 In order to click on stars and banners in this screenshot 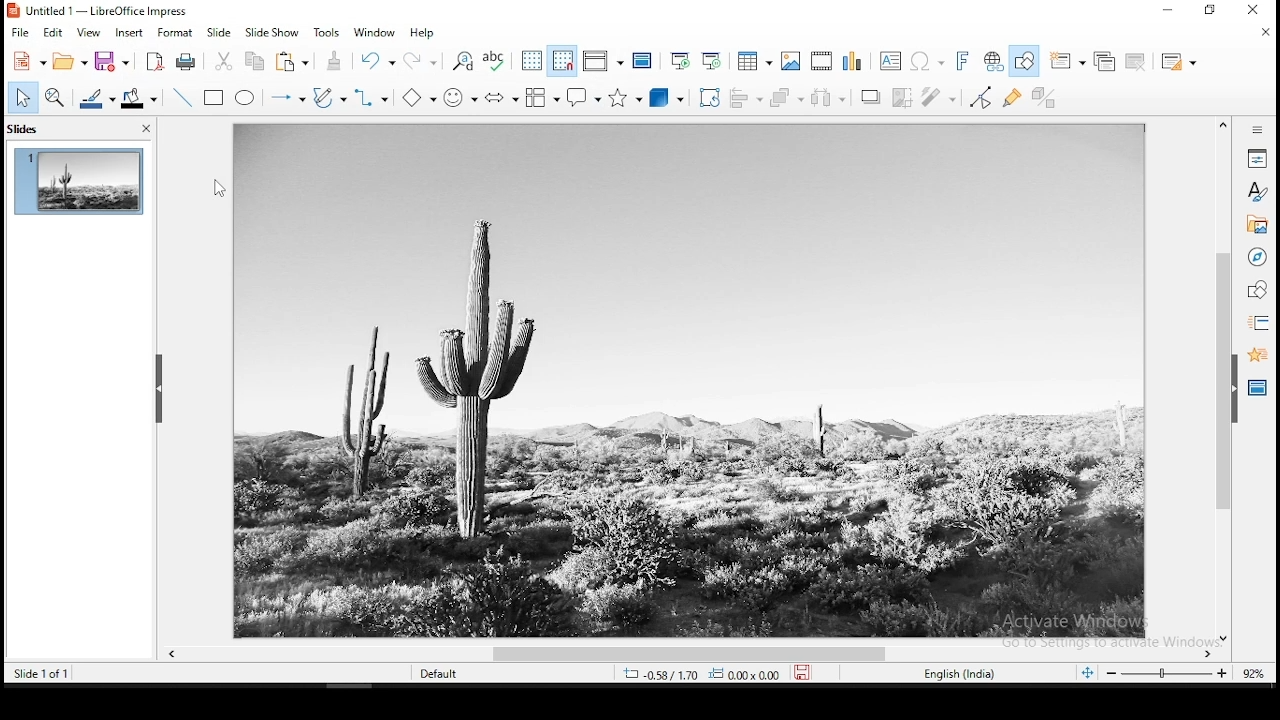, I will do `click(623, 100)`.